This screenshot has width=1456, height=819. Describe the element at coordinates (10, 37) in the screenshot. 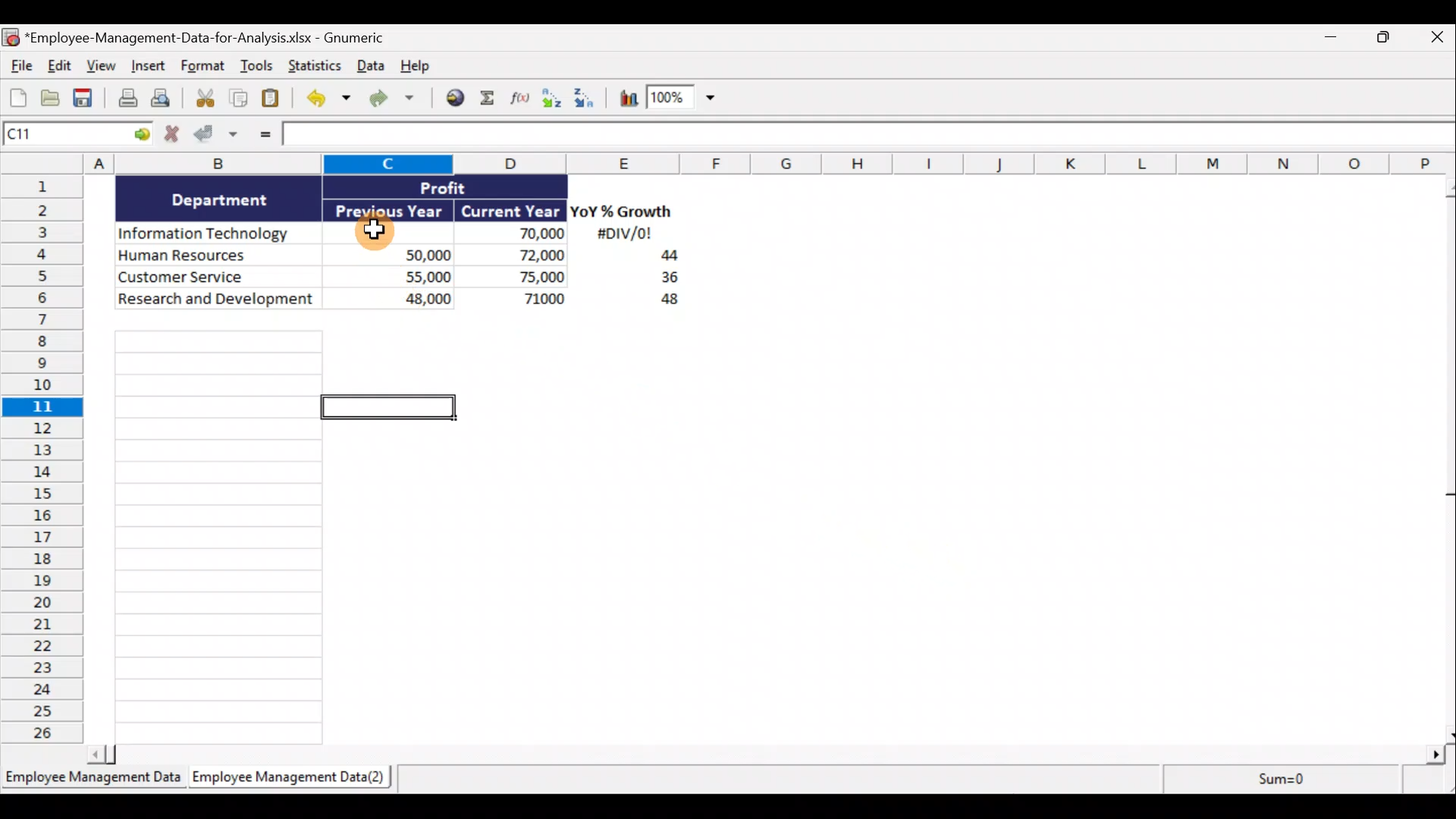

I see `Gnumeric logo` at that location.